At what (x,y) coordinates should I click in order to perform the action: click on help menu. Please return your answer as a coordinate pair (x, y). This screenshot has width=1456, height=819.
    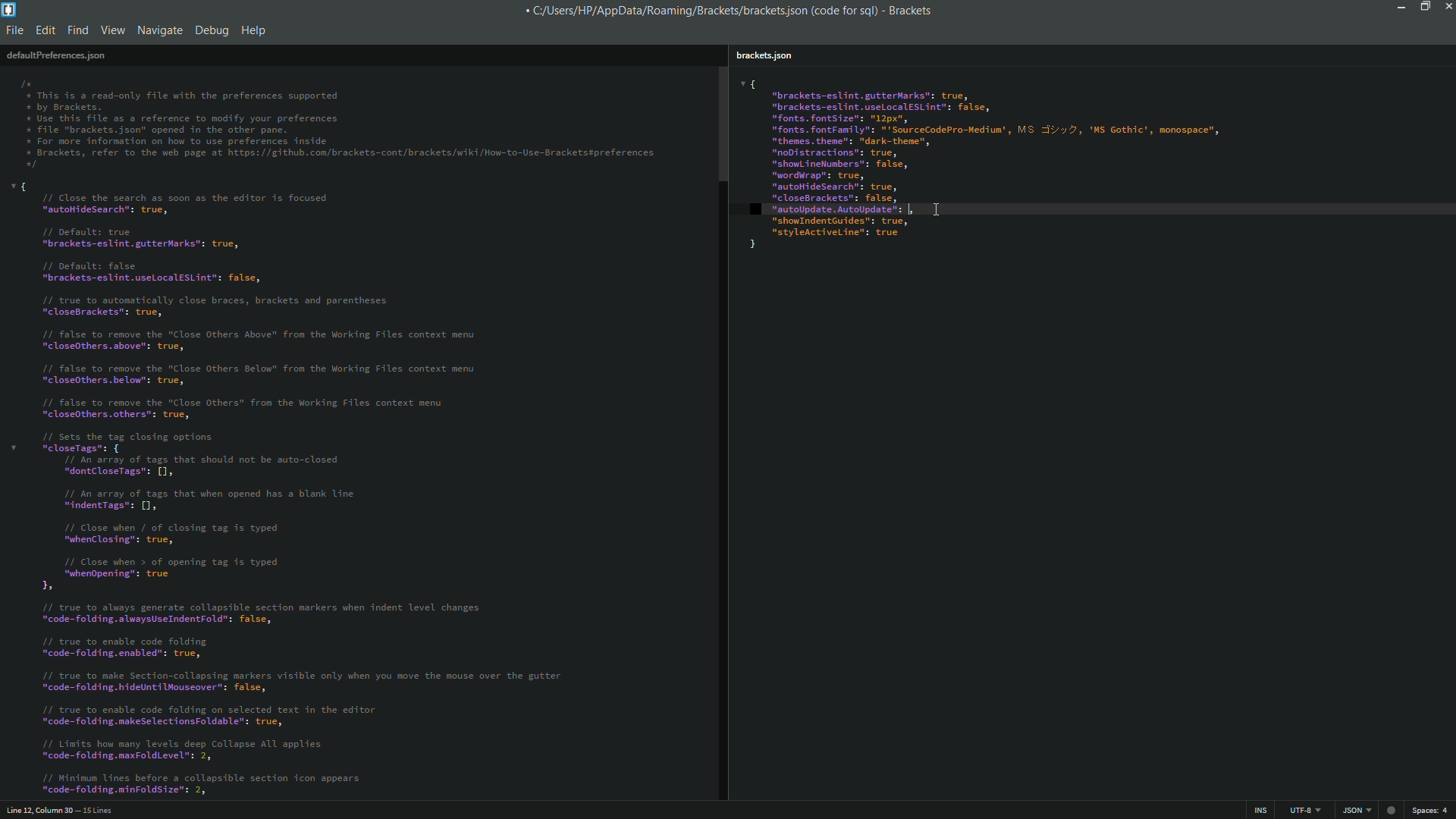
    Looking at the image, I should click on (255, 30).